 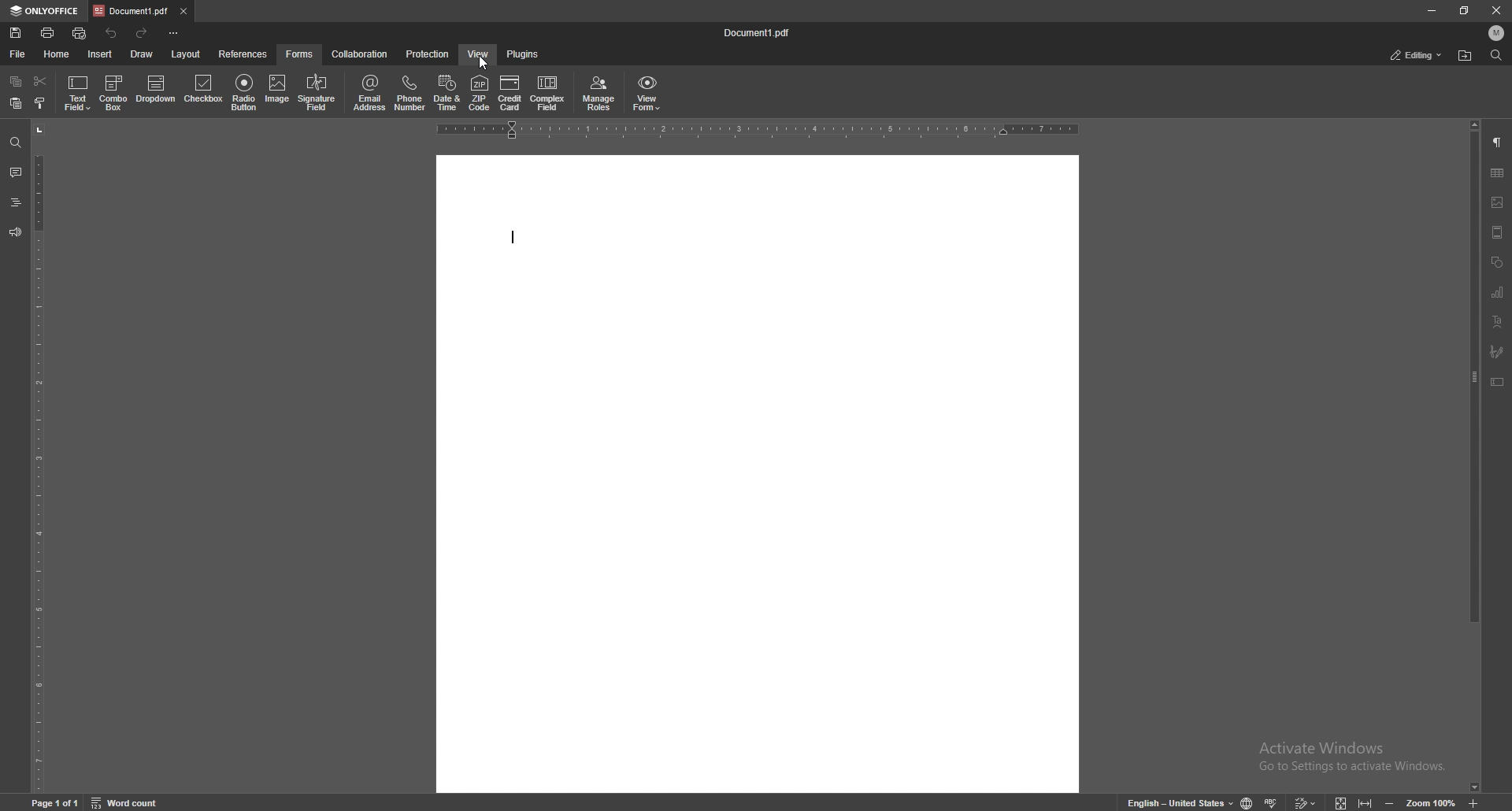 What do you see at coordinates (1417, 54) in the screenshot?
I see `status` at bounding box center [1417, 54].